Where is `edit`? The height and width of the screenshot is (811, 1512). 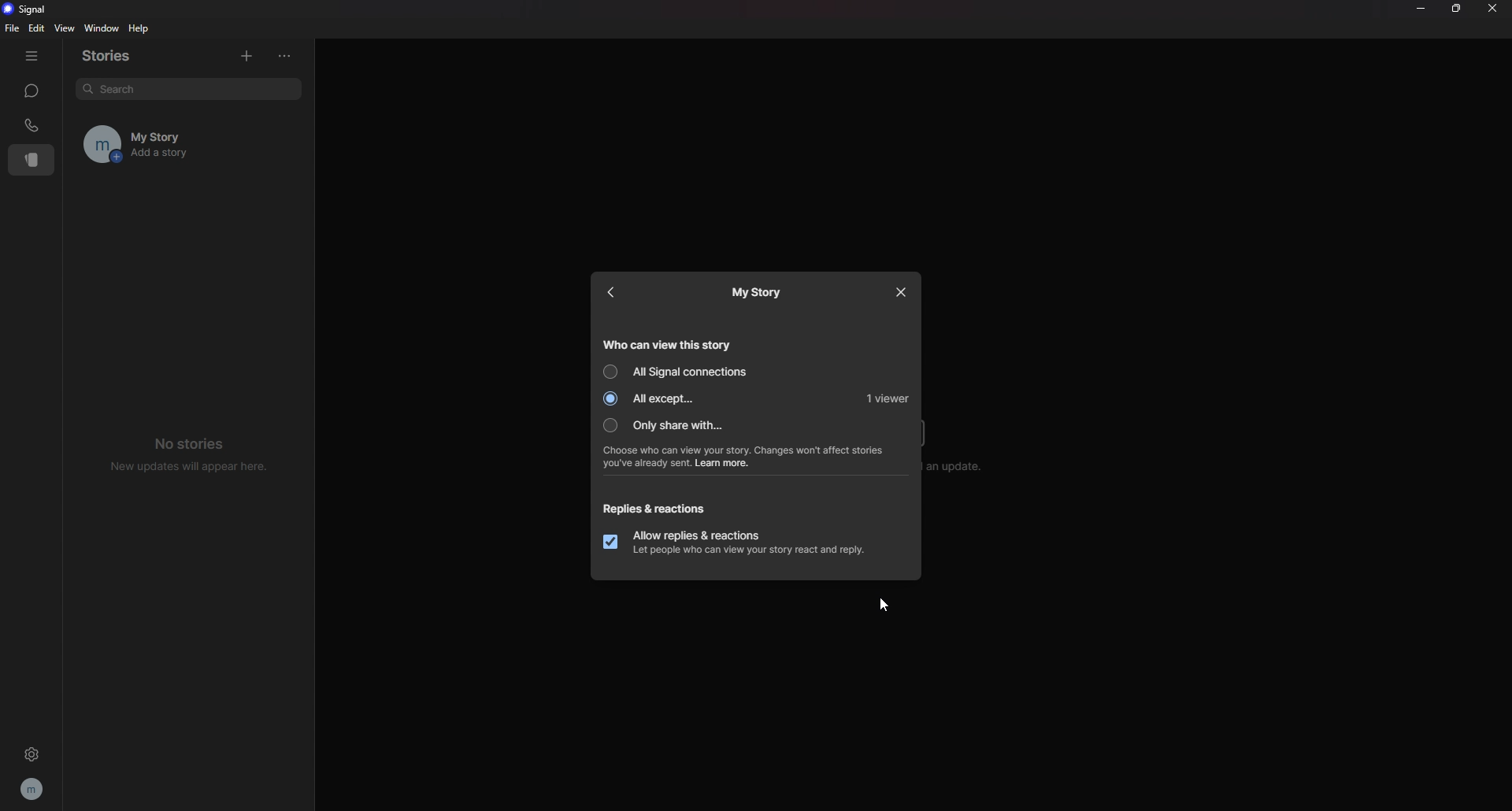
edit is located at coordinates (36, 28).